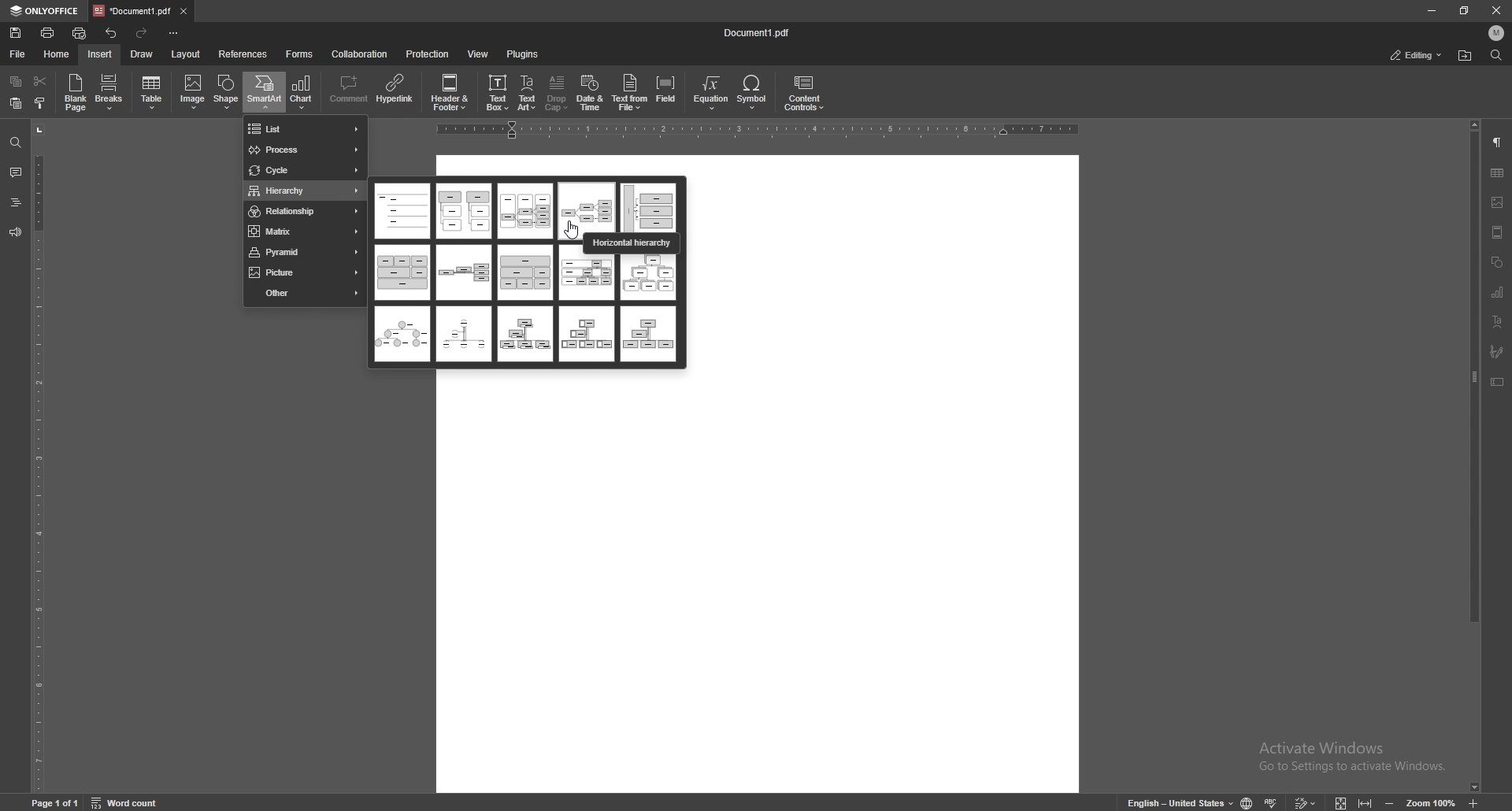  I want to click on change text language, so click(1178, 802).